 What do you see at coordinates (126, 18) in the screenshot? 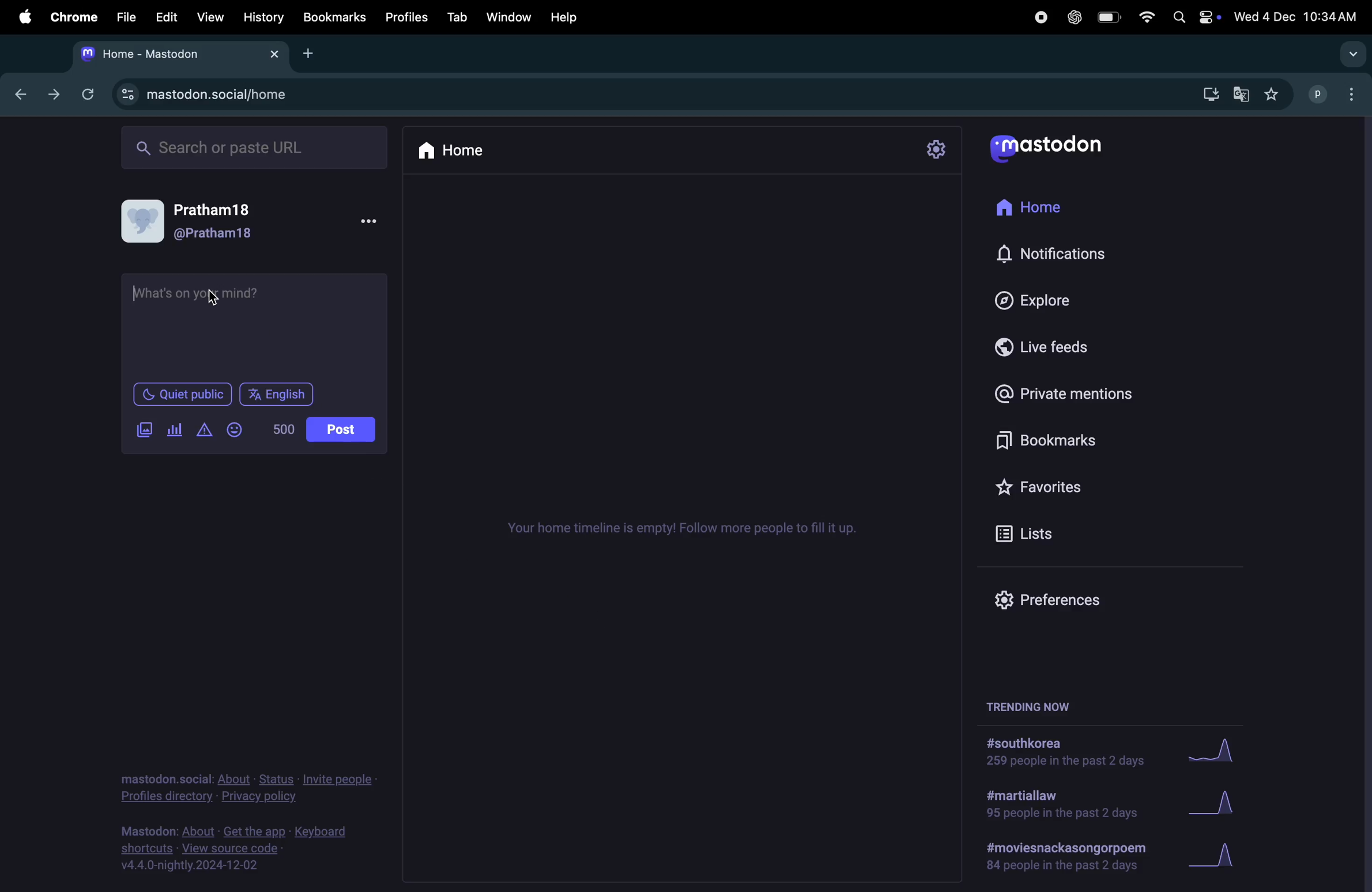
I see `Files` at bounding box center [126, 18].